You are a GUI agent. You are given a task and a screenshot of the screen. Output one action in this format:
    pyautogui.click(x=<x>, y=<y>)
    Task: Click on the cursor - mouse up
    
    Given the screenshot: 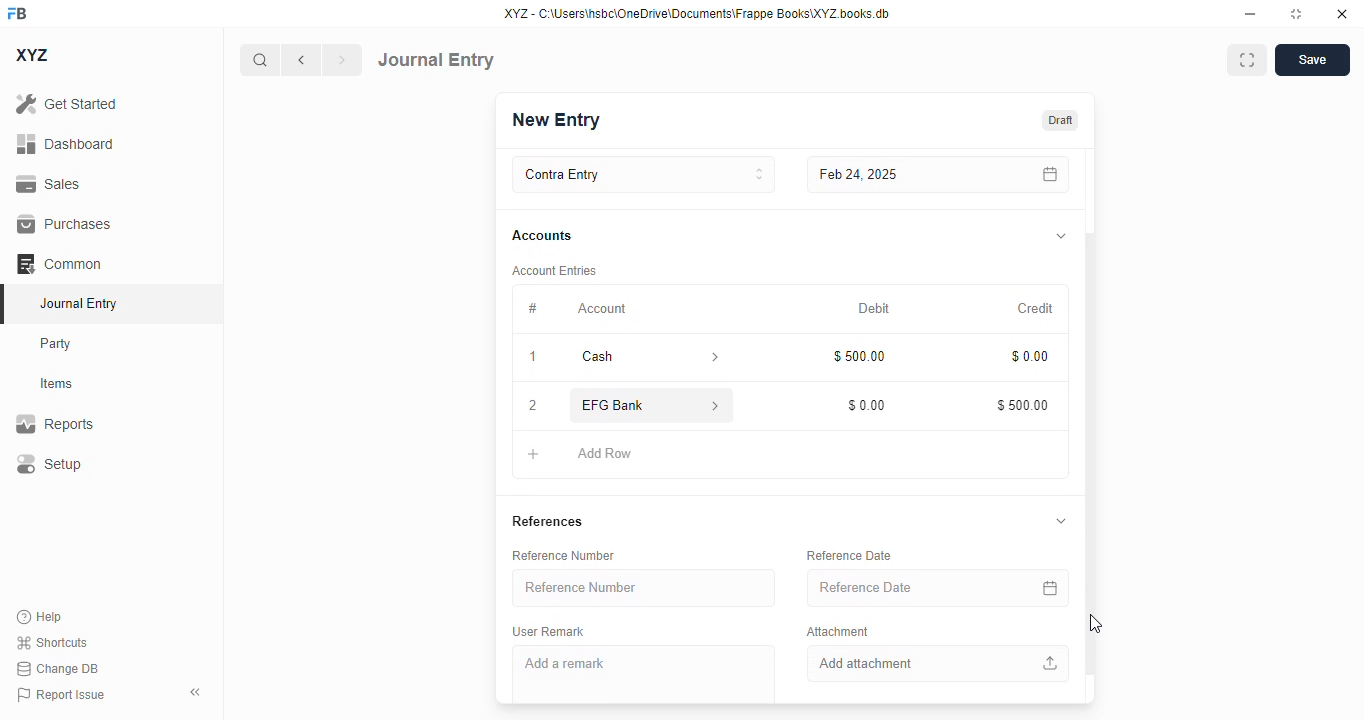 What is the action you would take?
    pyautogui.click(x=1097, y=624)
    